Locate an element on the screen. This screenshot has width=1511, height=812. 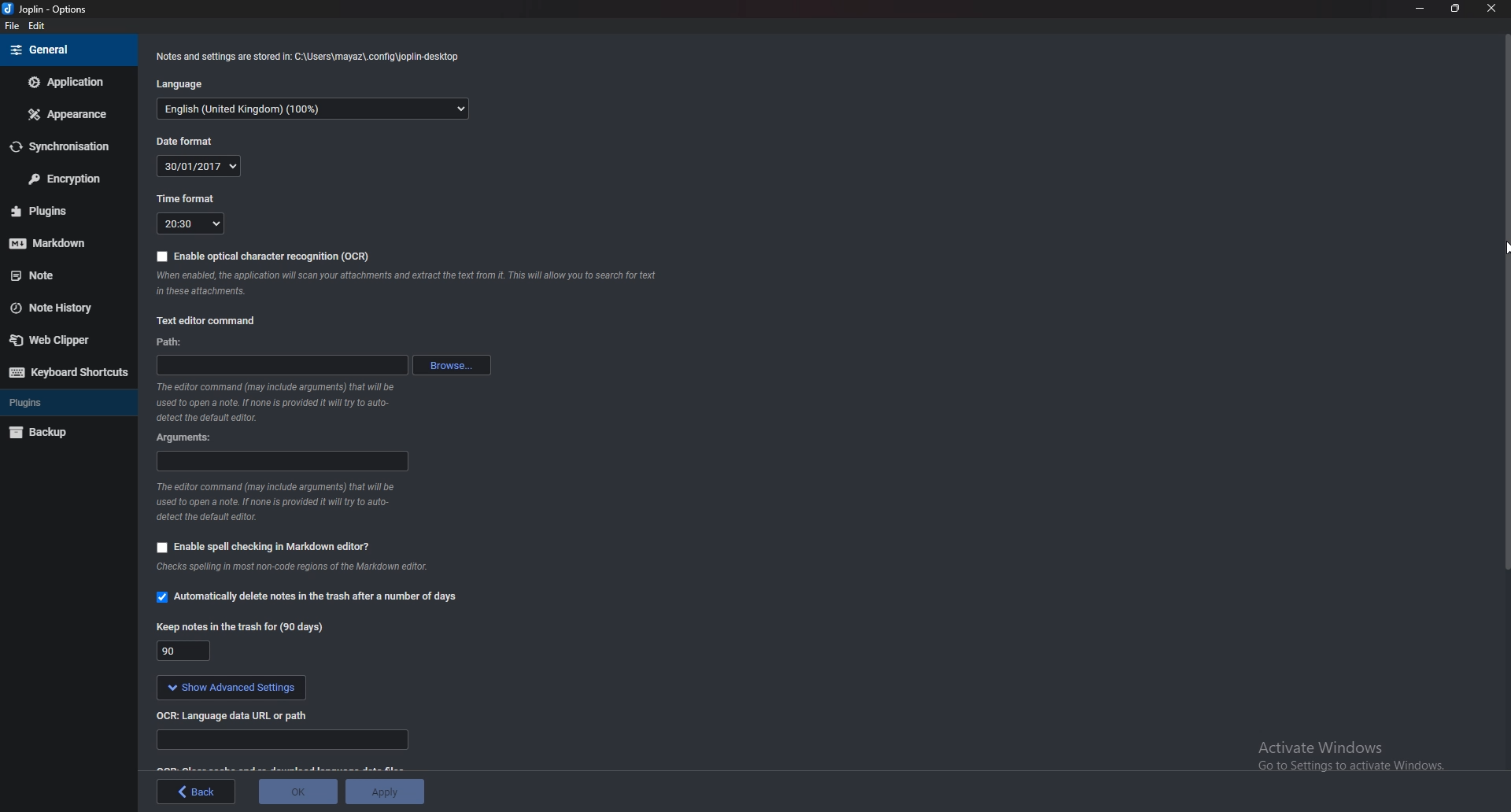
path is located at coordinates (171, 342).